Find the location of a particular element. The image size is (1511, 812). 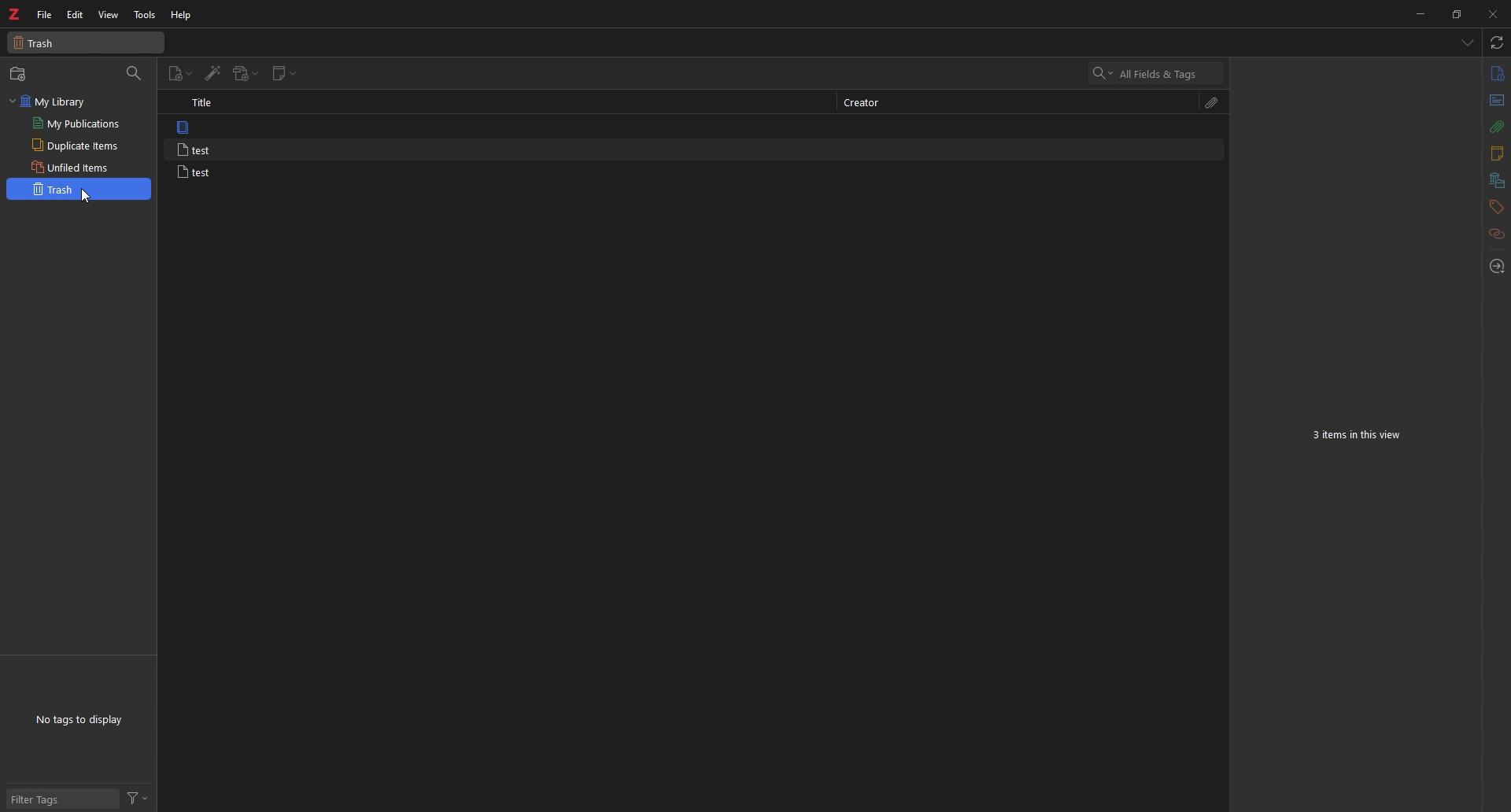

abstract is located at coordinates (1495, 101).